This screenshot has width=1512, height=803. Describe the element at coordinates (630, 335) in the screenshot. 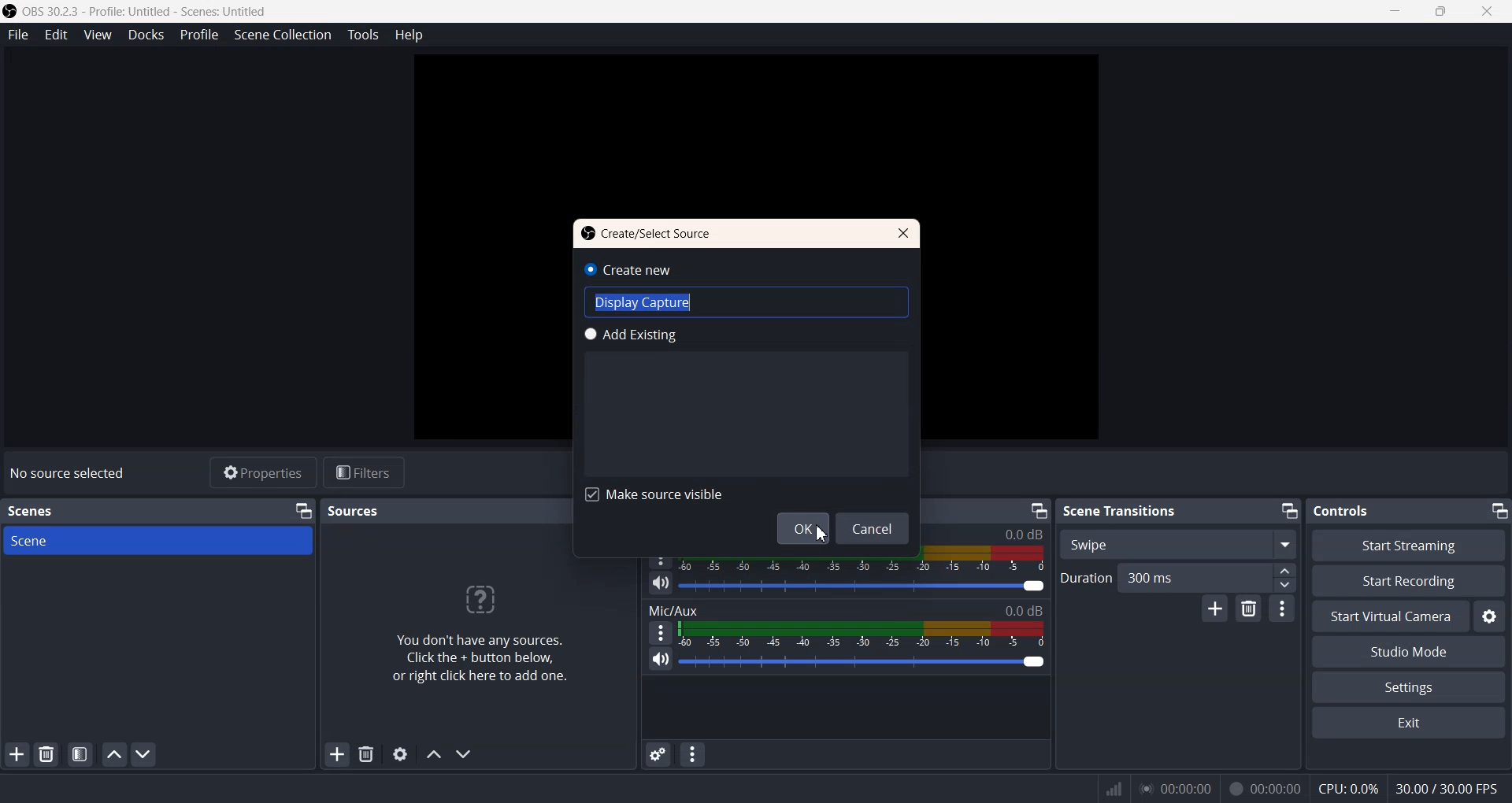

I see `Add Existing` at that location.